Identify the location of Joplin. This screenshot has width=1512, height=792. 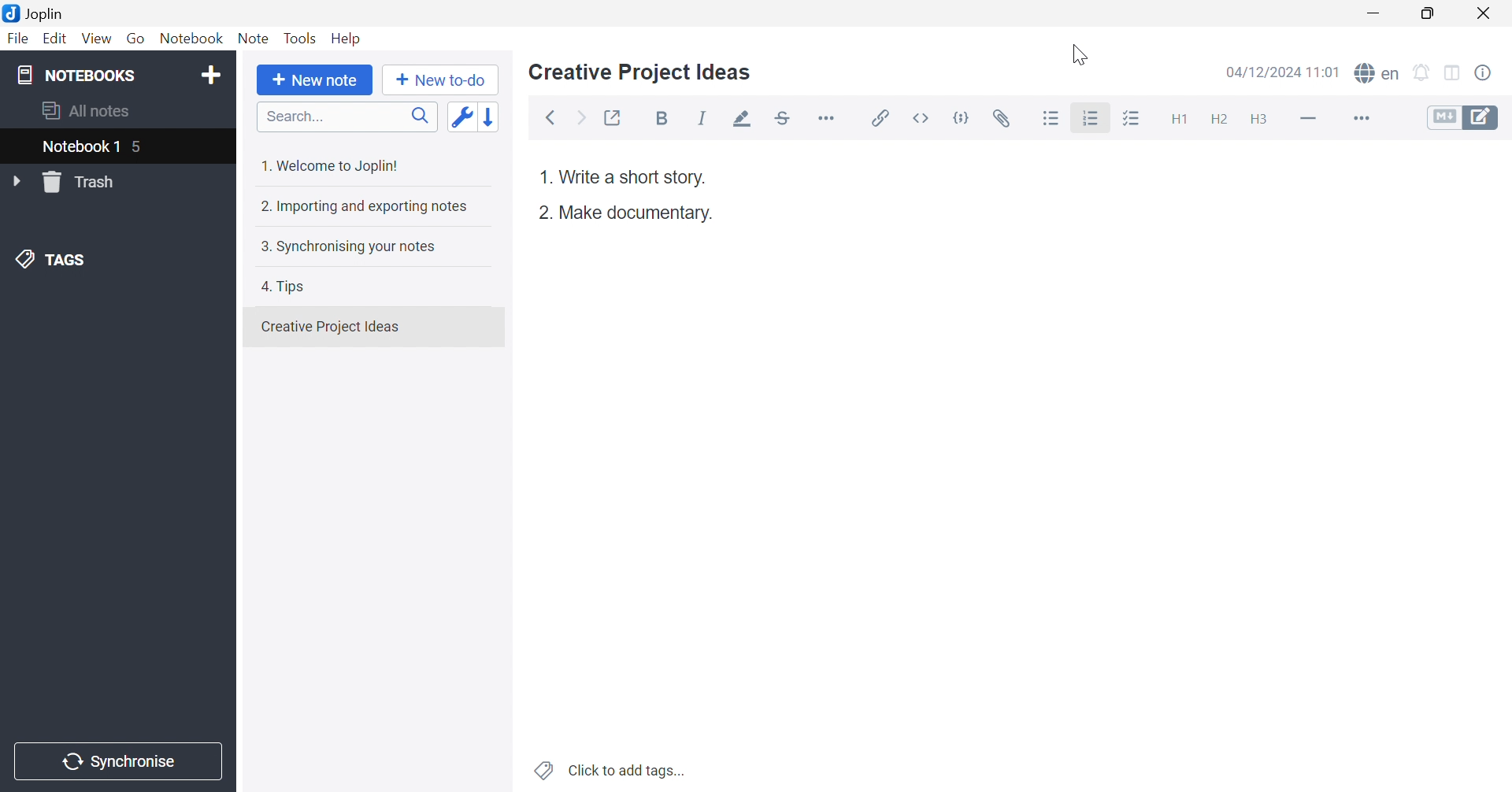
(37, 12).